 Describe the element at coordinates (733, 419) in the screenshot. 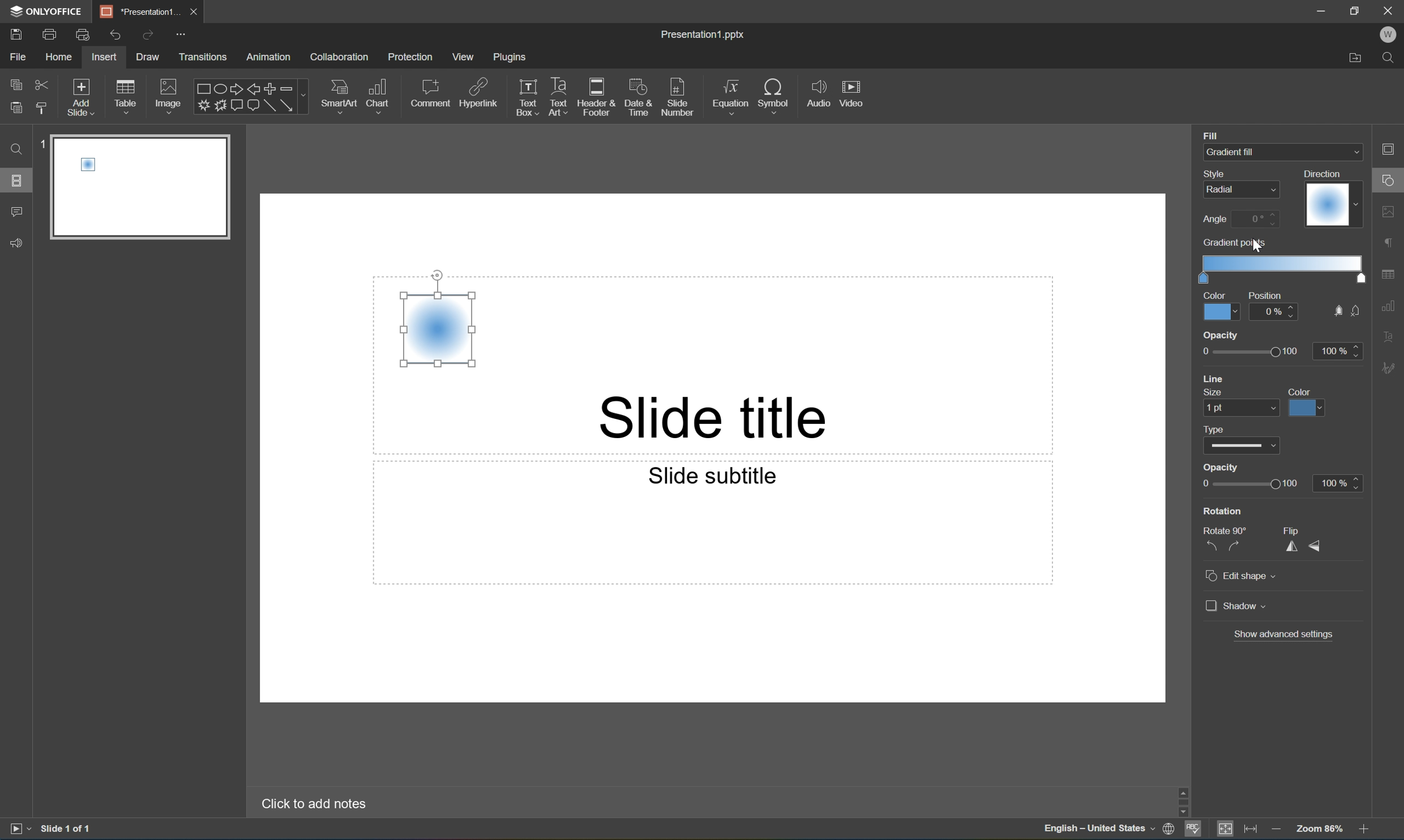

I see `Slide title` at that location.